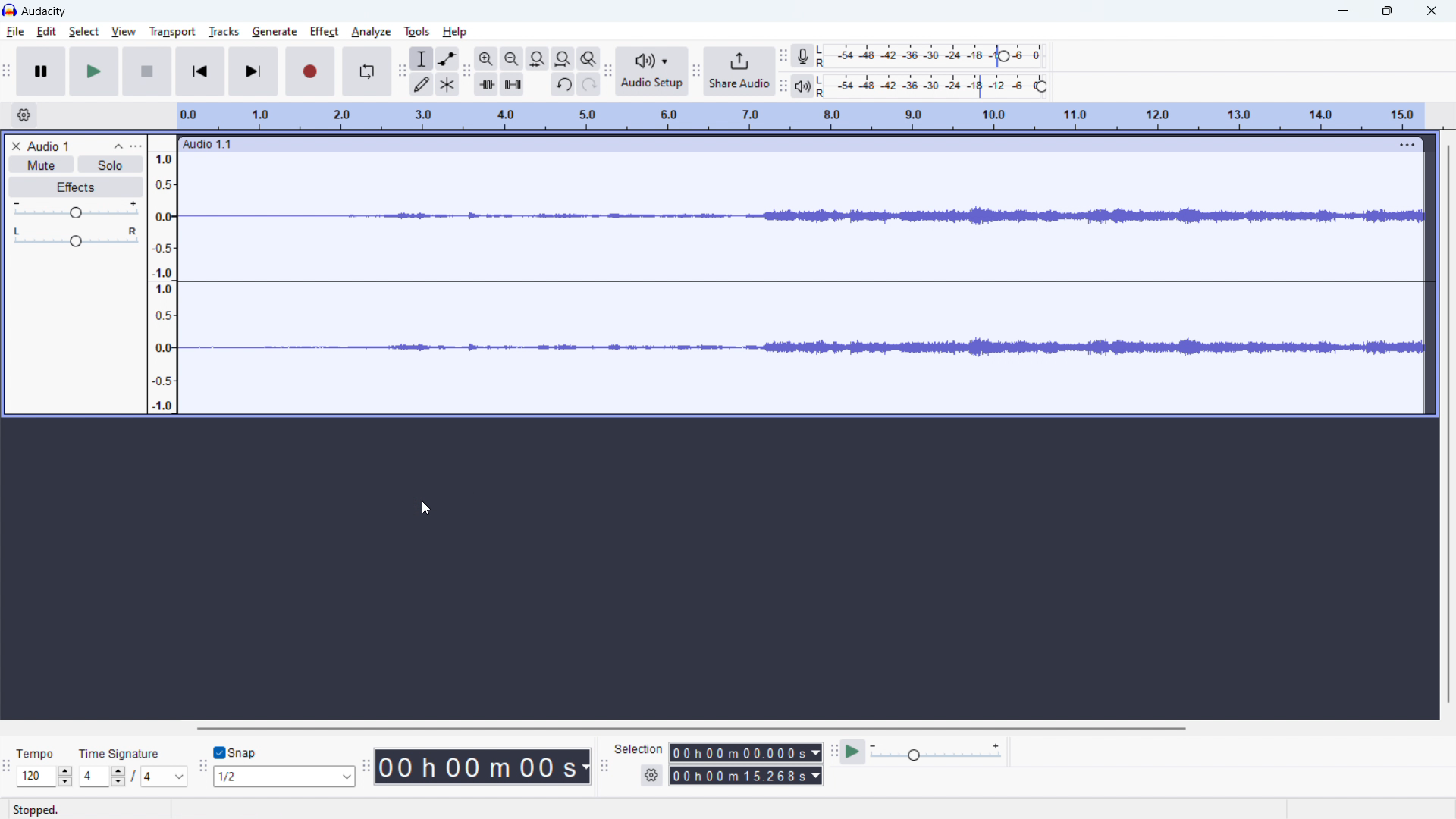 The width and height of the screenshot is (1456, 819). I want to click on settings, so click(652, 775).